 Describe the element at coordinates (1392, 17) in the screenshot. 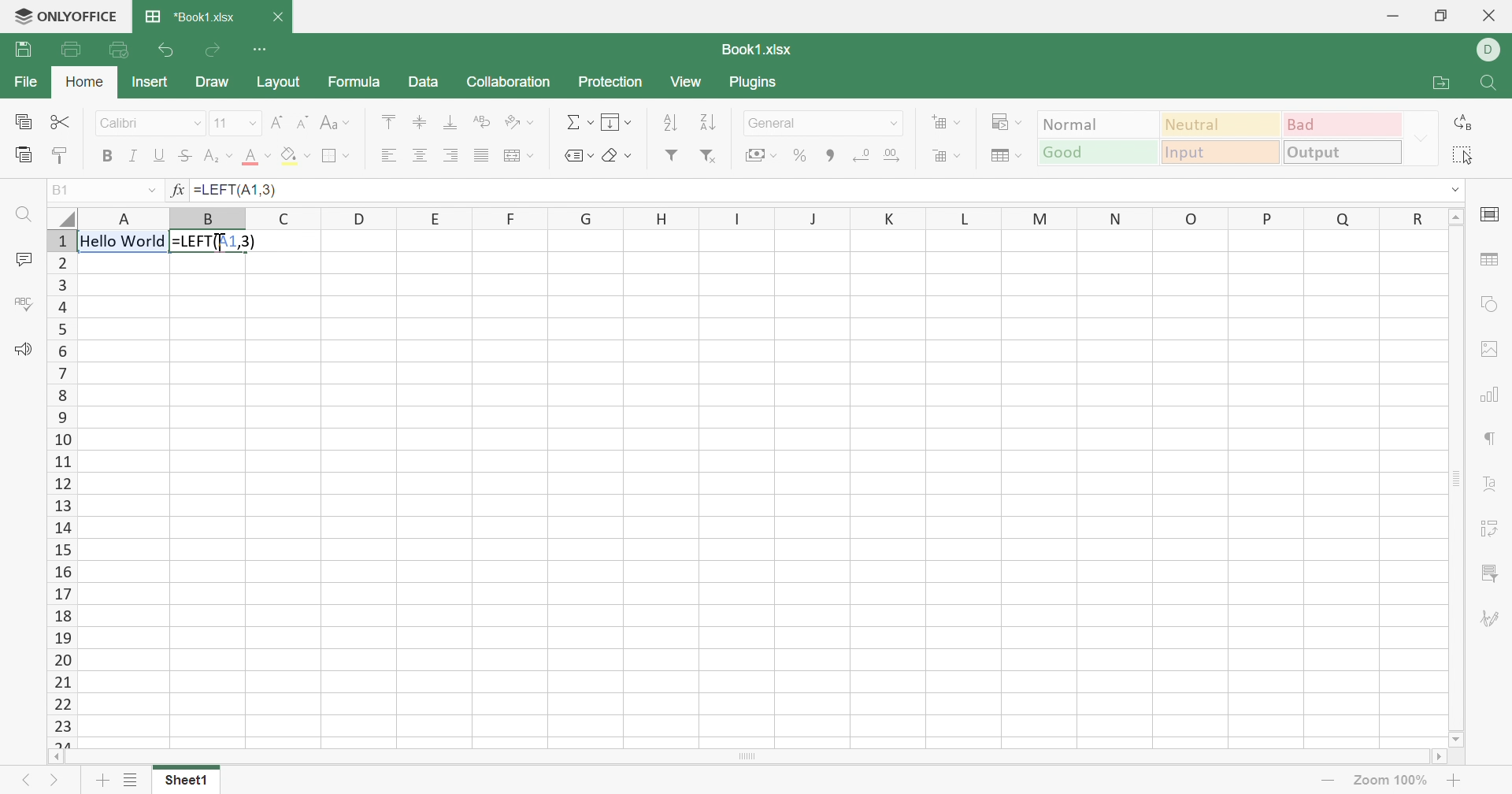

I see `Minimize` at that location.